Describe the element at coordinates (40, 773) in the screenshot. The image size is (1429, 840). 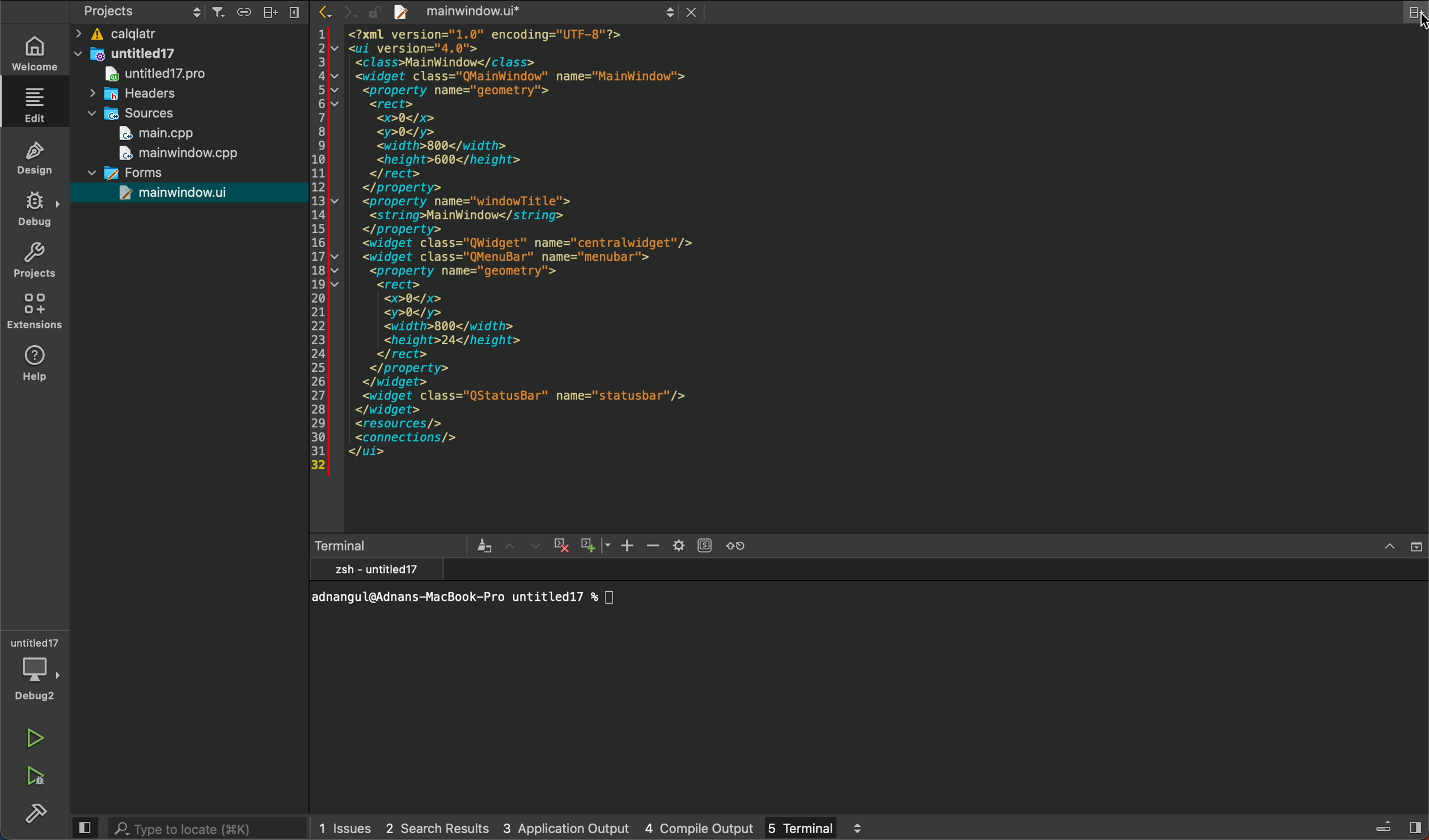
I see `run and debug` at that location.